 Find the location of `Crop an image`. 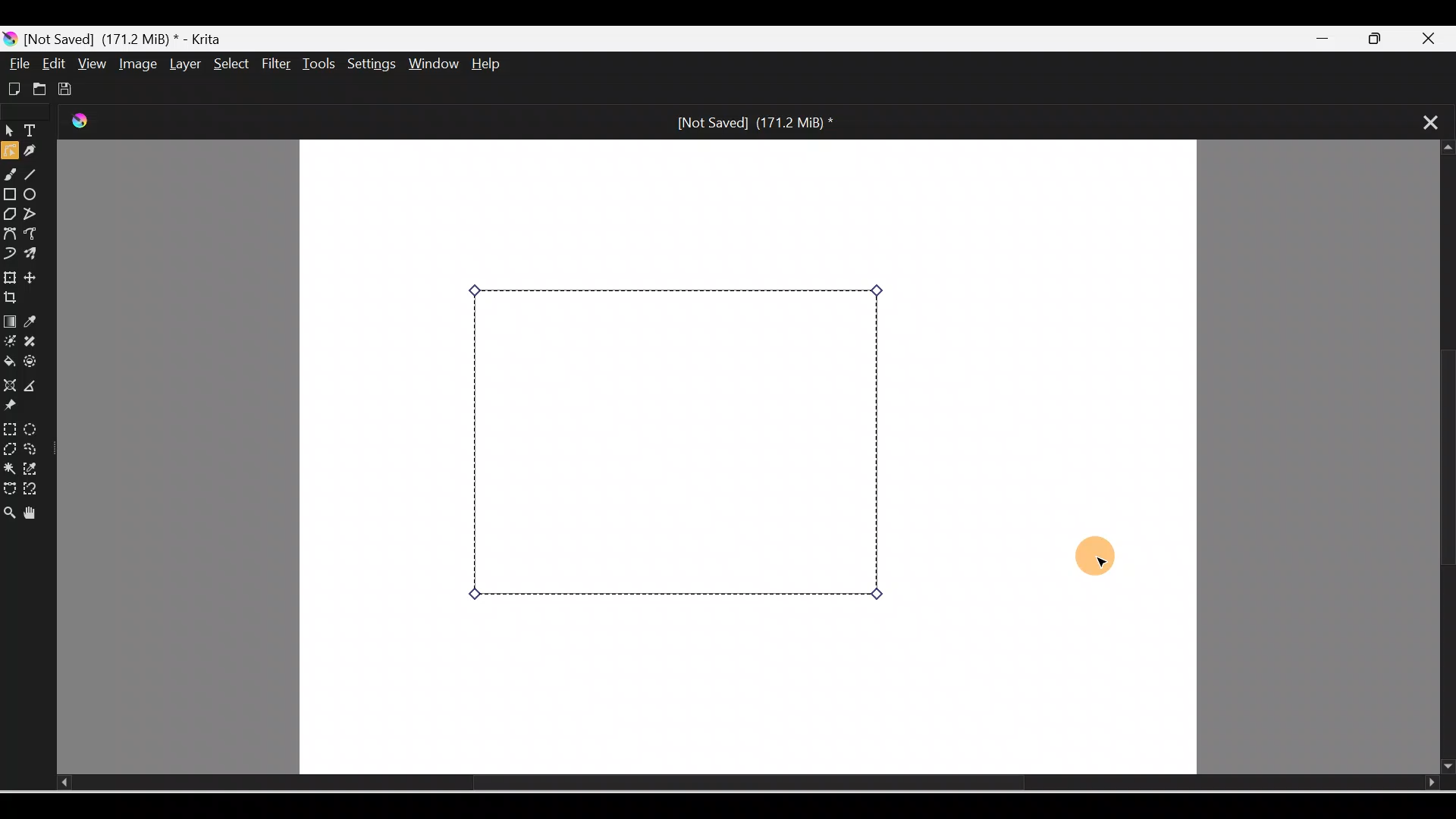

Crop an image is located at coordinates (17, 298).